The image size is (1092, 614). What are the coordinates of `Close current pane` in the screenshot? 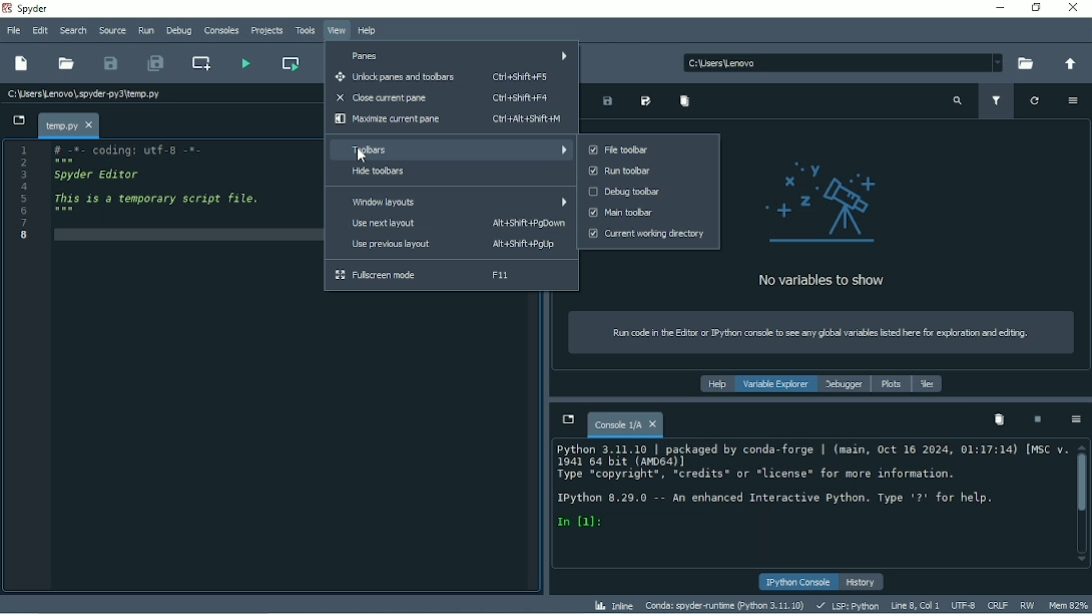 It's located at (443, 98).